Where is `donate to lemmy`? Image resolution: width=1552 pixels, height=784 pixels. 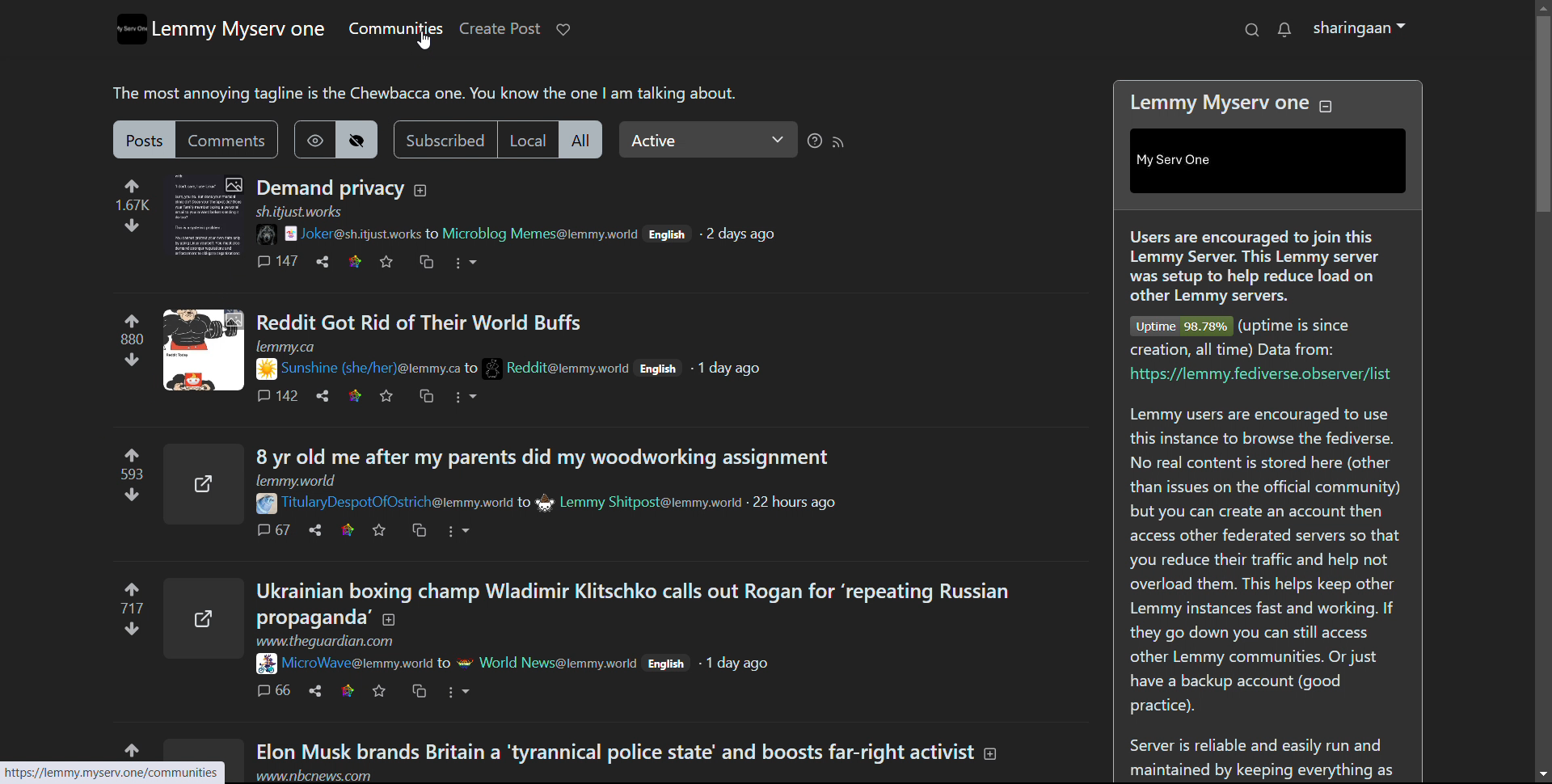
donate to lemmy is located at coordinates (563, 29).